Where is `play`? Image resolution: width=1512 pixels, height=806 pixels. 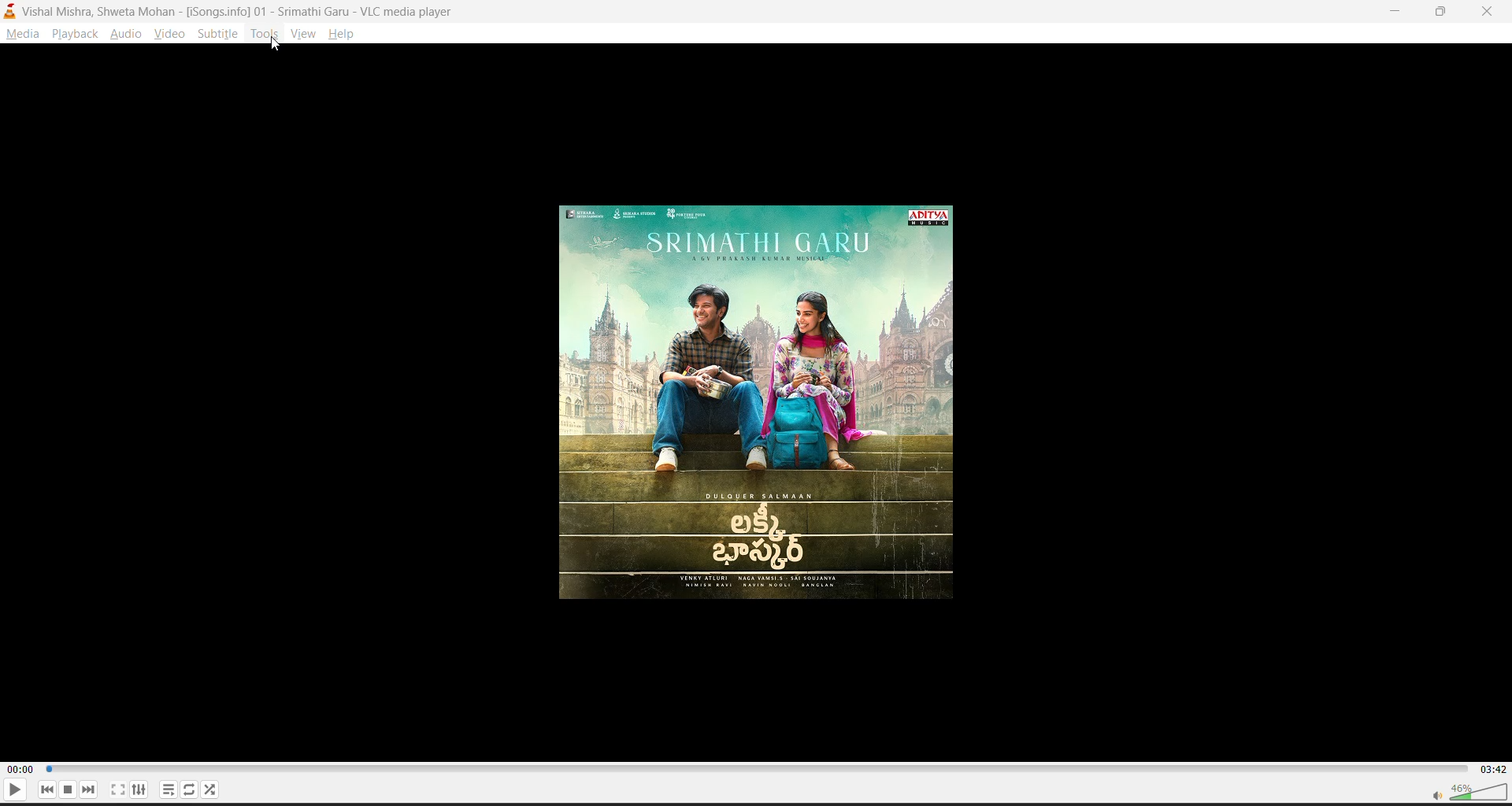
play is located at coordinates (13, 792).